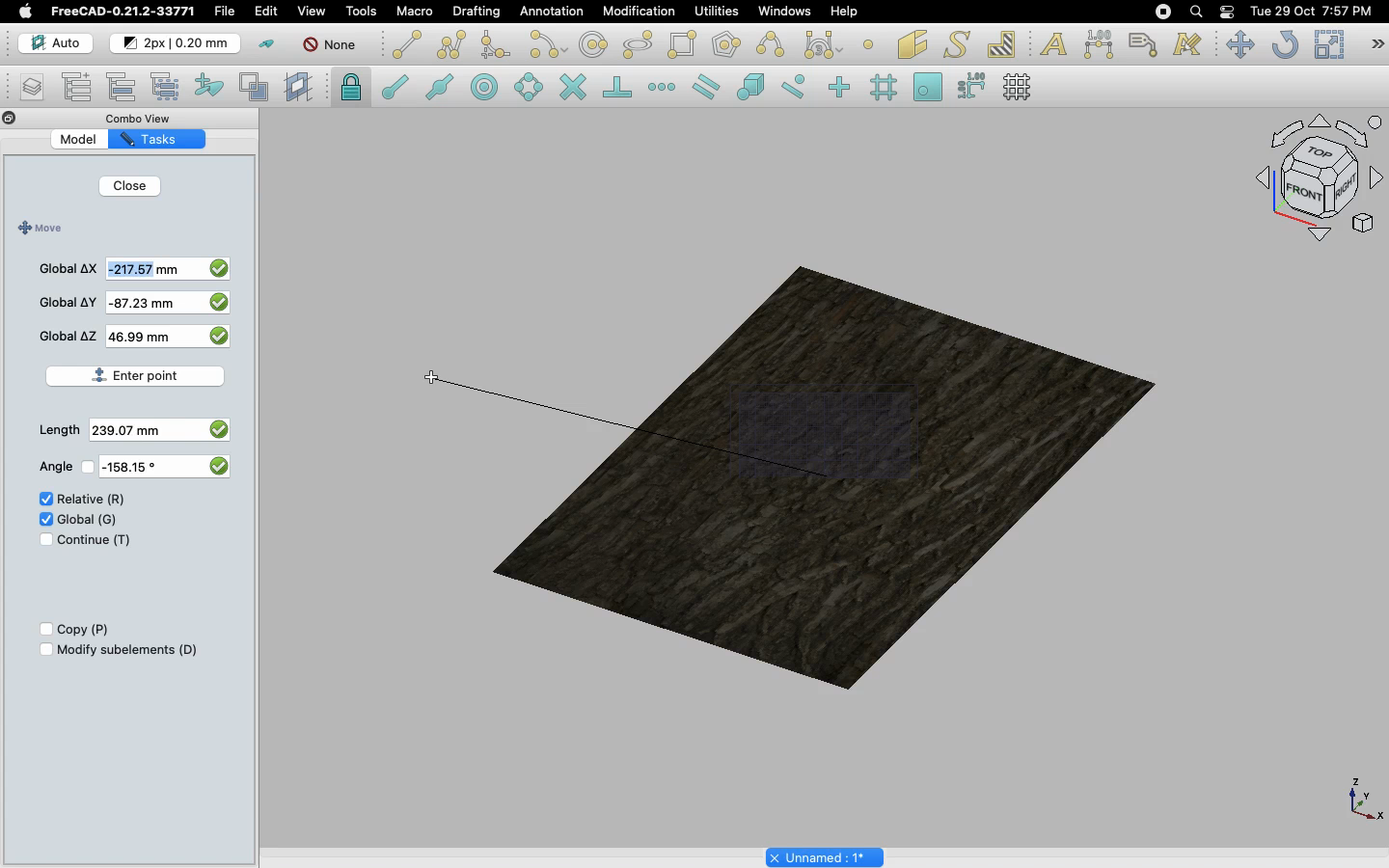 The width and height of the screenshot is (1389, 868). What do you see at coordinates (706, 87) in the screenshot?
I see `Snap parallel` at bounding box center [706, 87].